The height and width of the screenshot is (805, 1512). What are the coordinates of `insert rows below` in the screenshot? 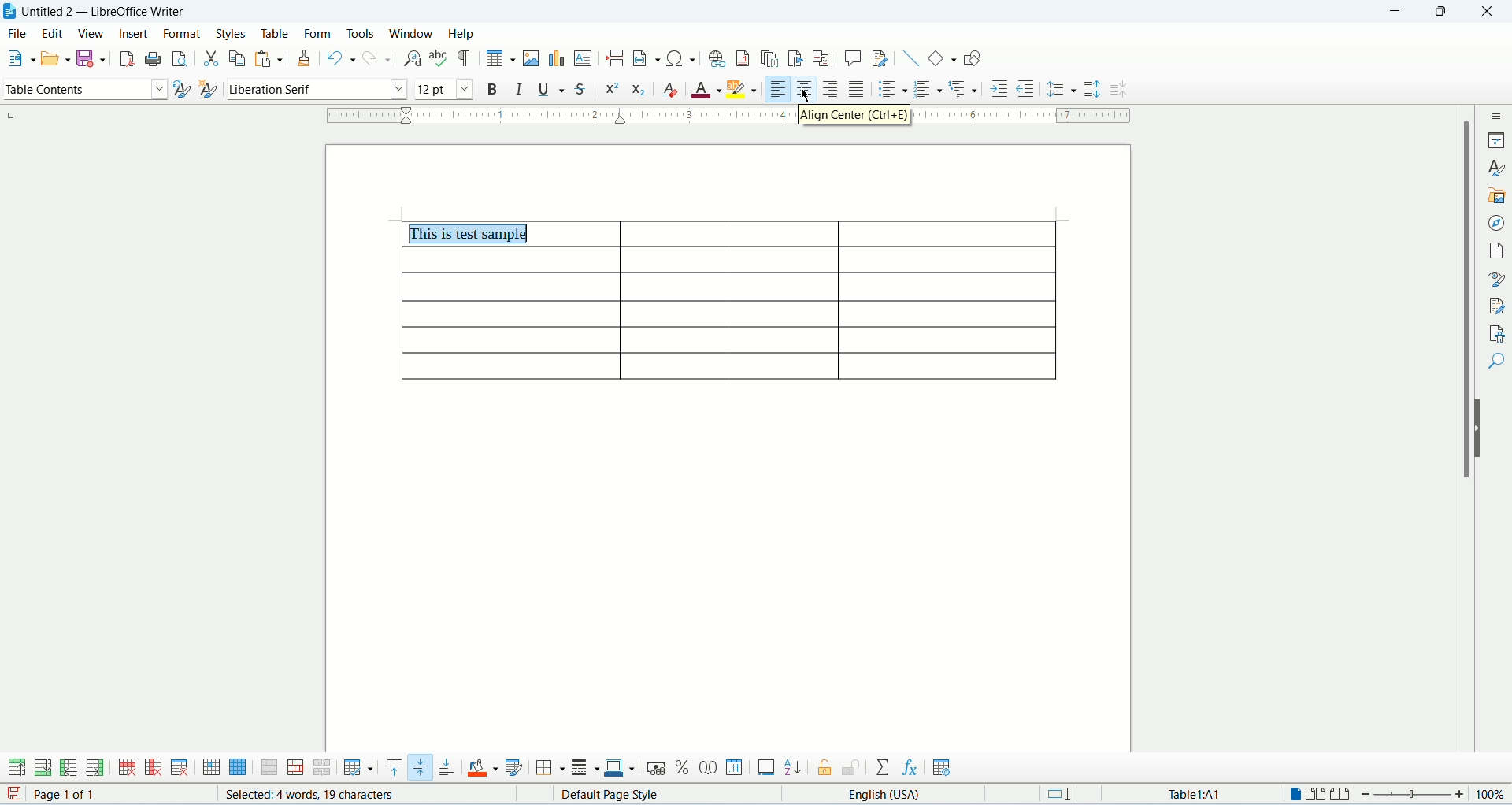 It's located at (42, 768).